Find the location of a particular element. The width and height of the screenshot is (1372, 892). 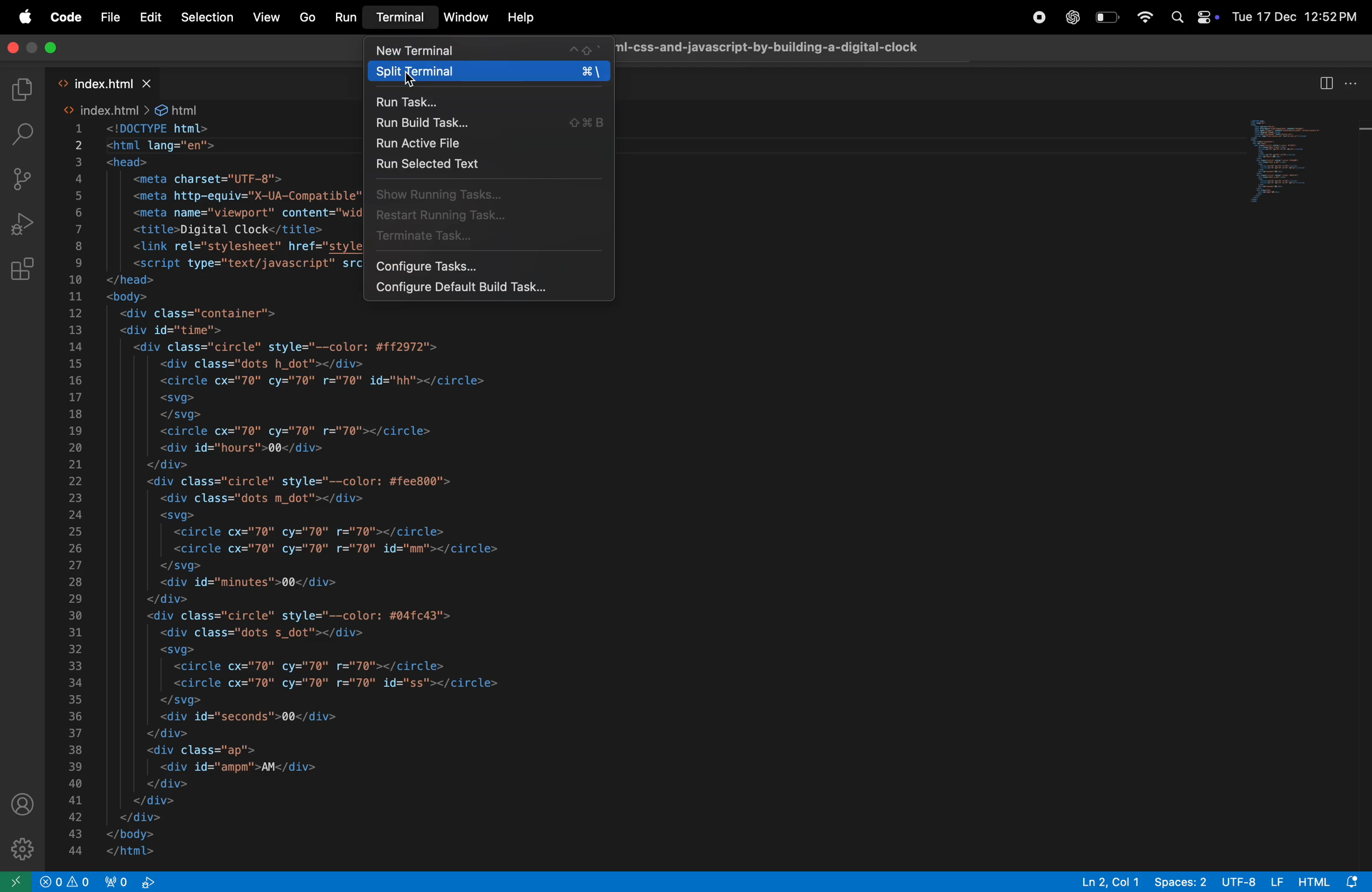

settings is located at coordinates (21, 849).